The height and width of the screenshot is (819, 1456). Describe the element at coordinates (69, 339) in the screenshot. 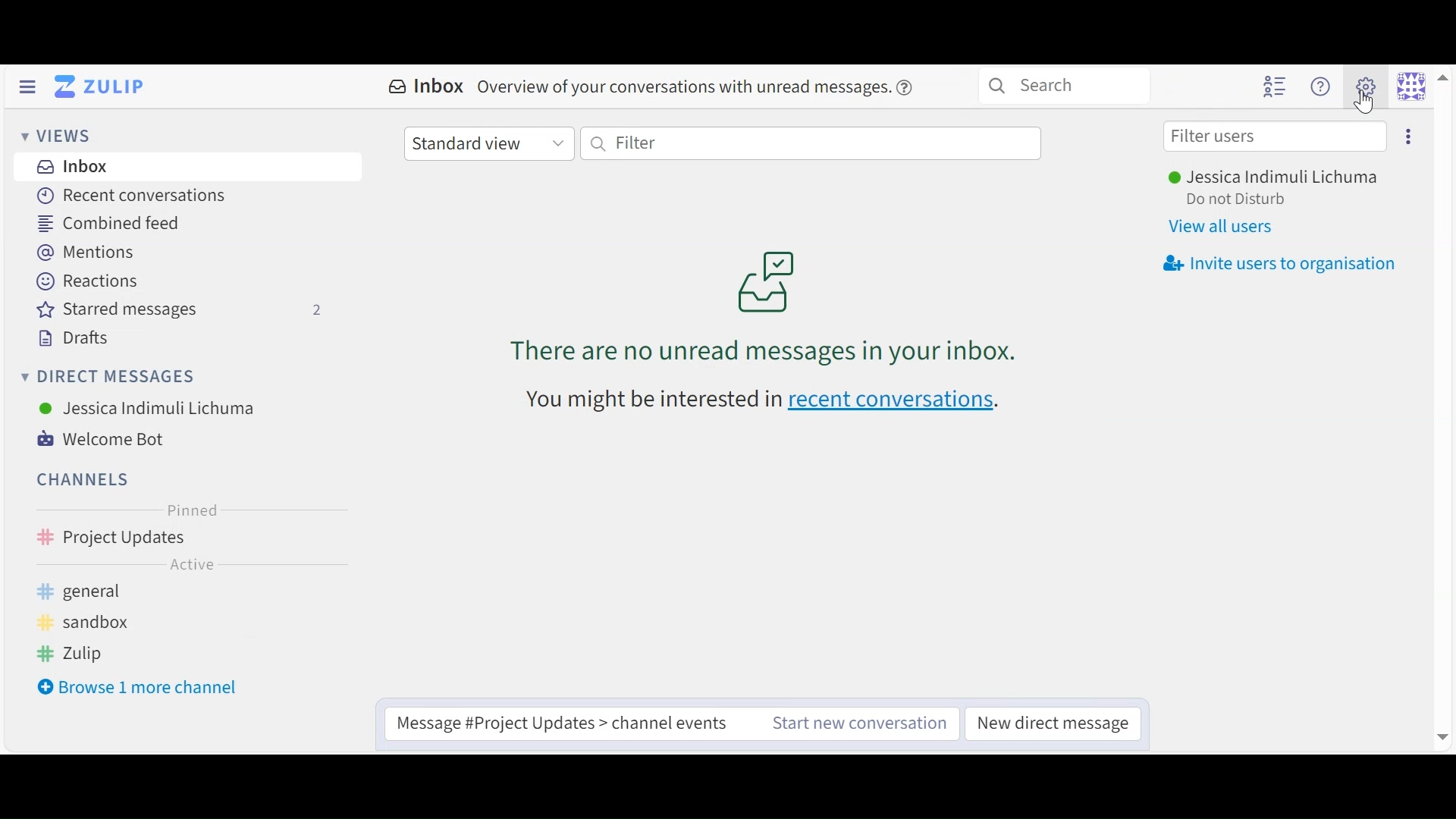

I see `Drafts` at that location.